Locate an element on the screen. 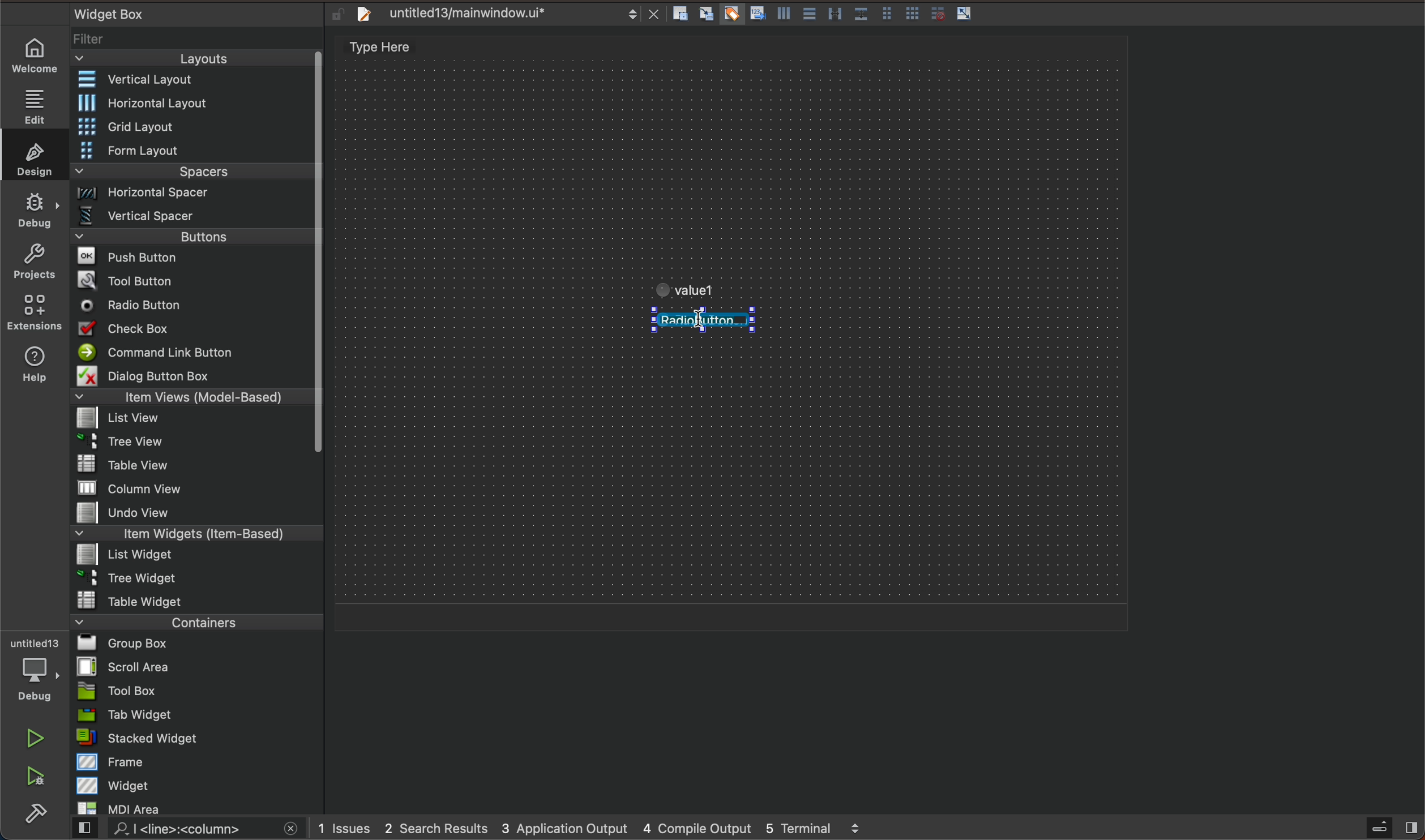 Image resolution: width=1425 pixels, height=840 pixels. edit is located at coordinates (40, 102).